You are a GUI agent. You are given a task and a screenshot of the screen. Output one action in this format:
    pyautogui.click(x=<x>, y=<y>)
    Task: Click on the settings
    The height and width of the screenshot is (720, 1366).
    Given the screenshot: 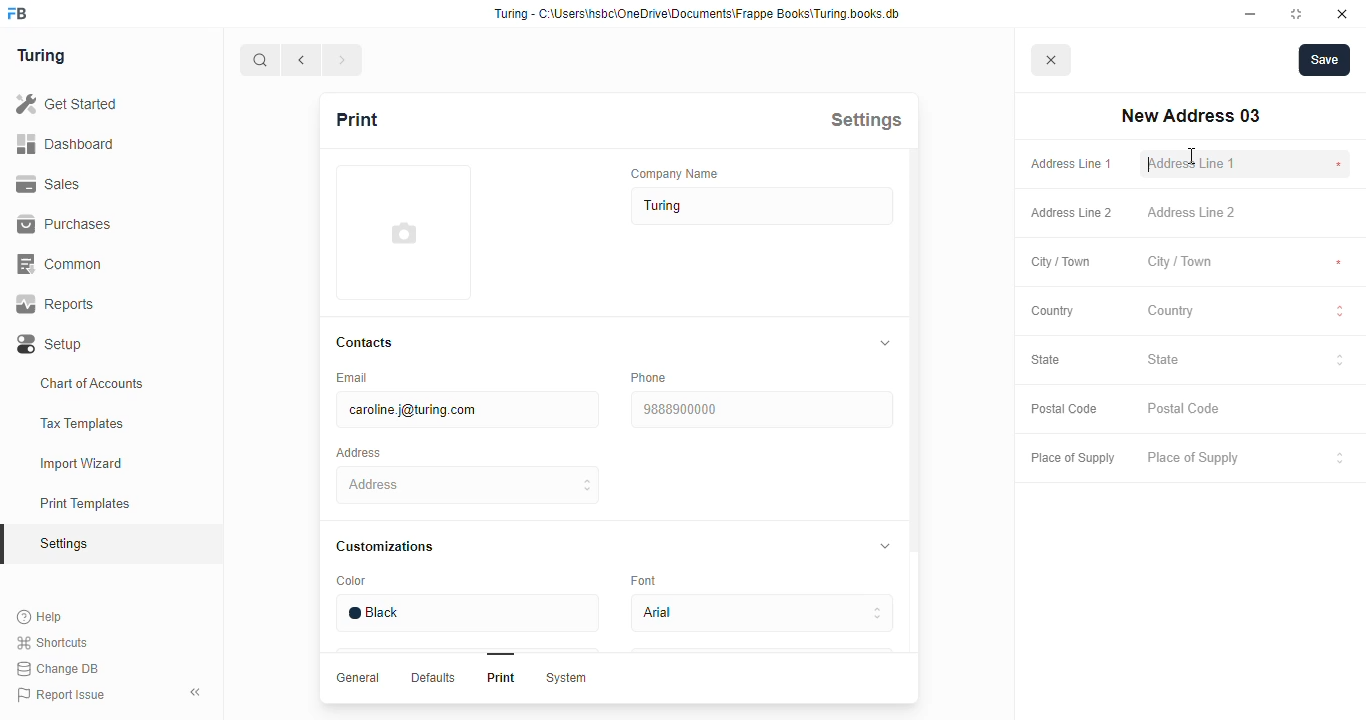 What is the action you would take?
    pyautogui.click(x=66, y=545)
    